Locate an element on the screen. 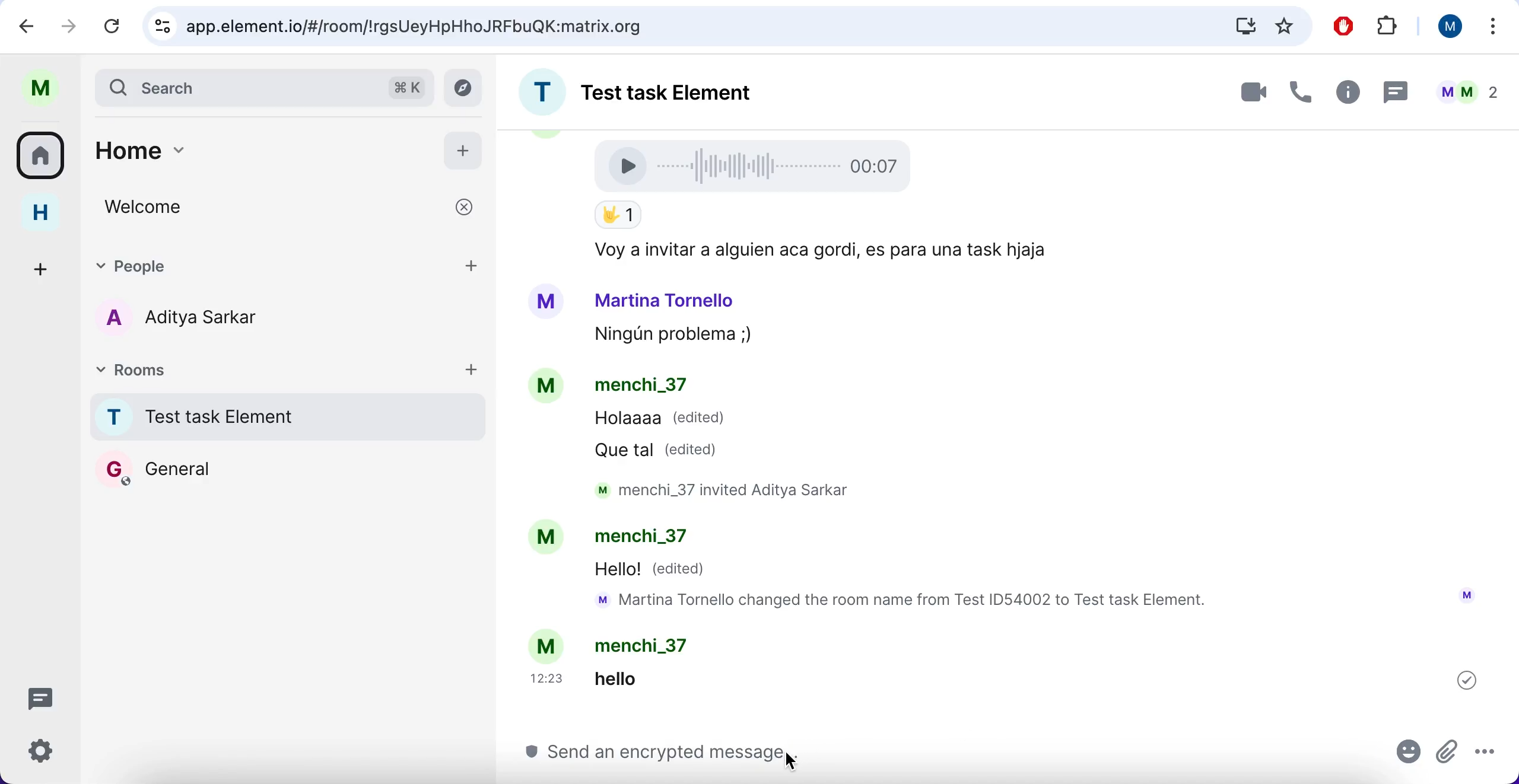 This screenshot has height=784, width=1519. 12:23 is located at coordinates (549, 678).